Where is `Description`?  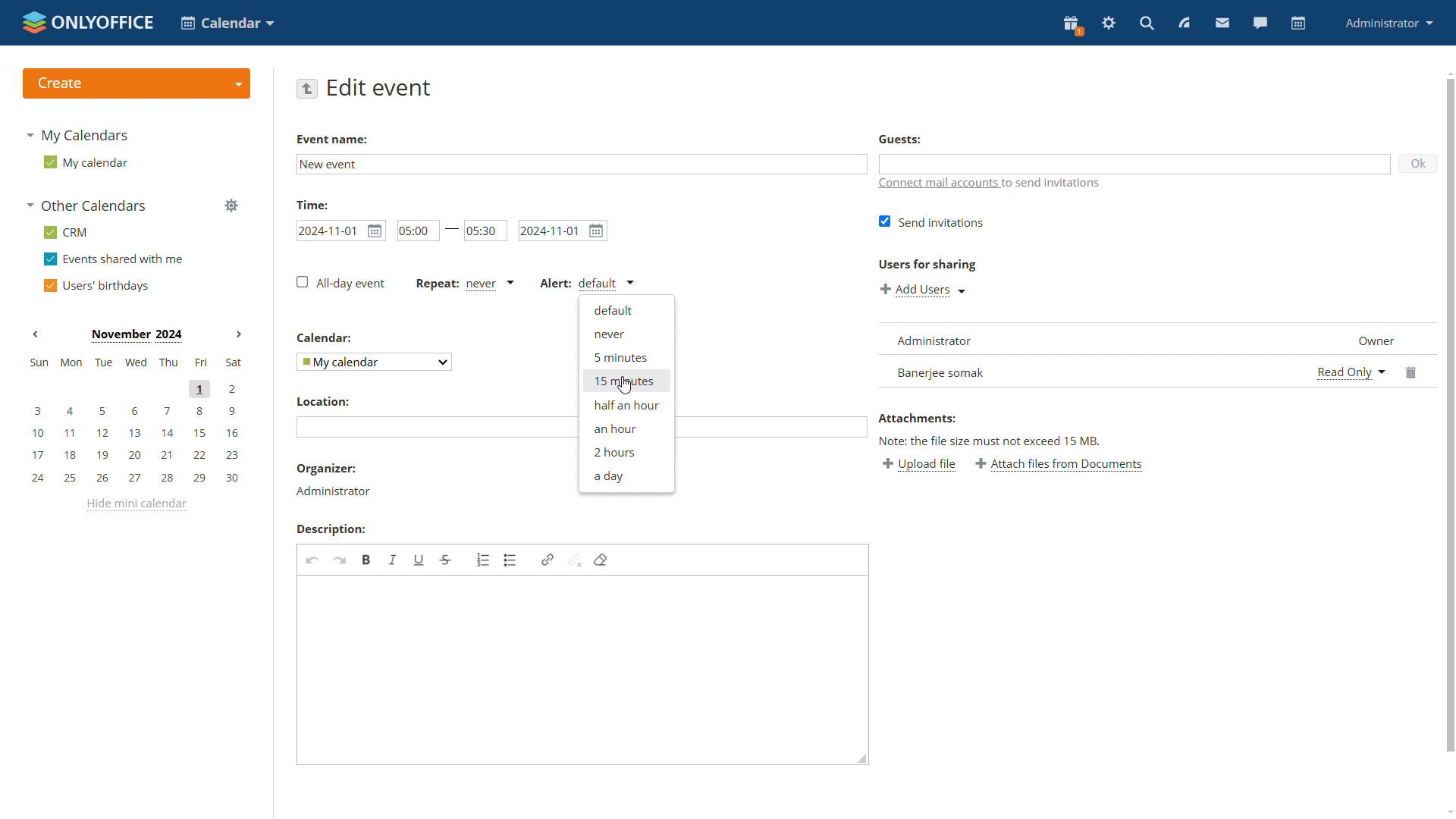
Description is located at coordinates (331, 529).